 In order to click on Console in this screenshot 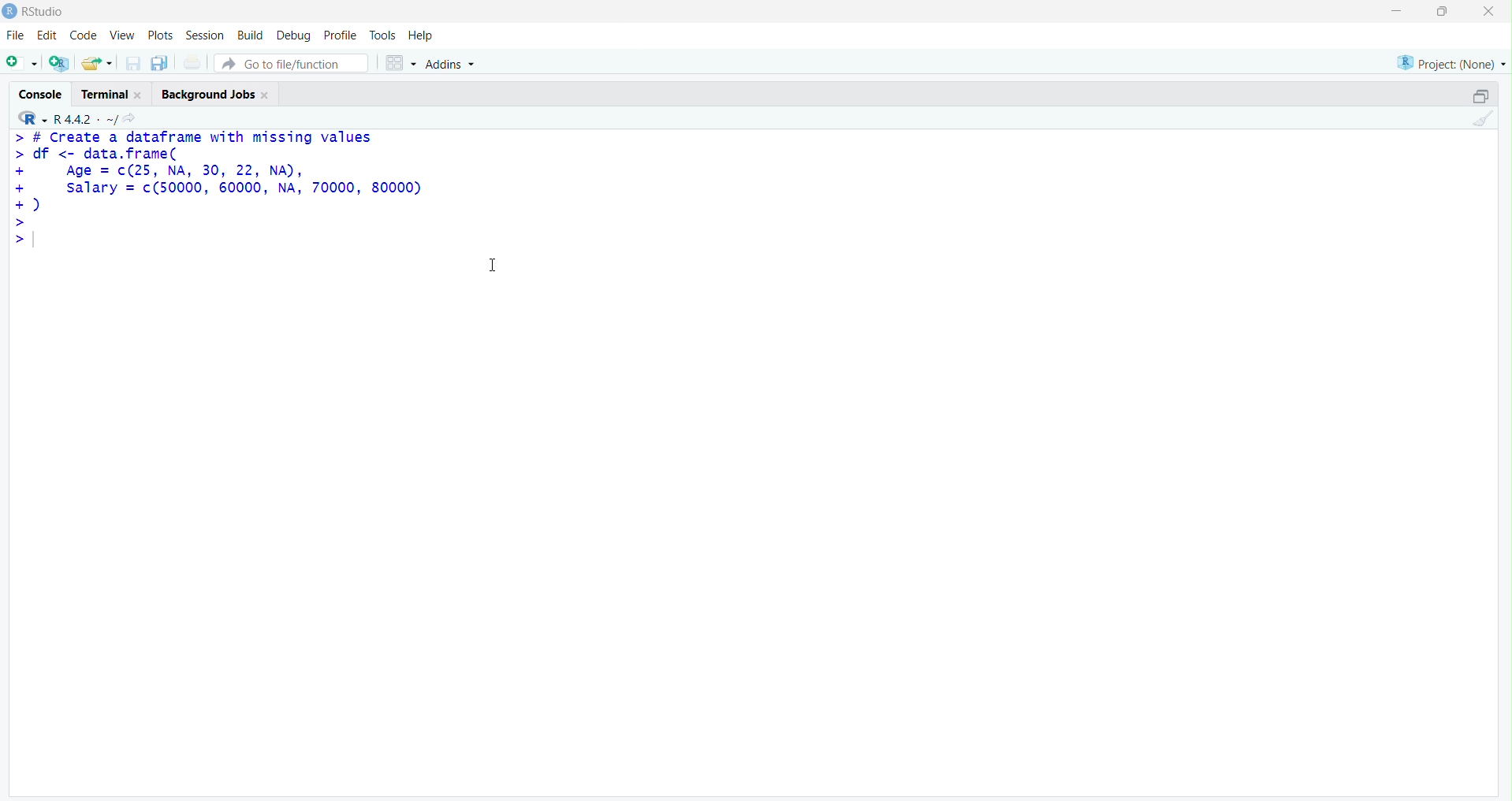, I will do `click(43, 92)`.